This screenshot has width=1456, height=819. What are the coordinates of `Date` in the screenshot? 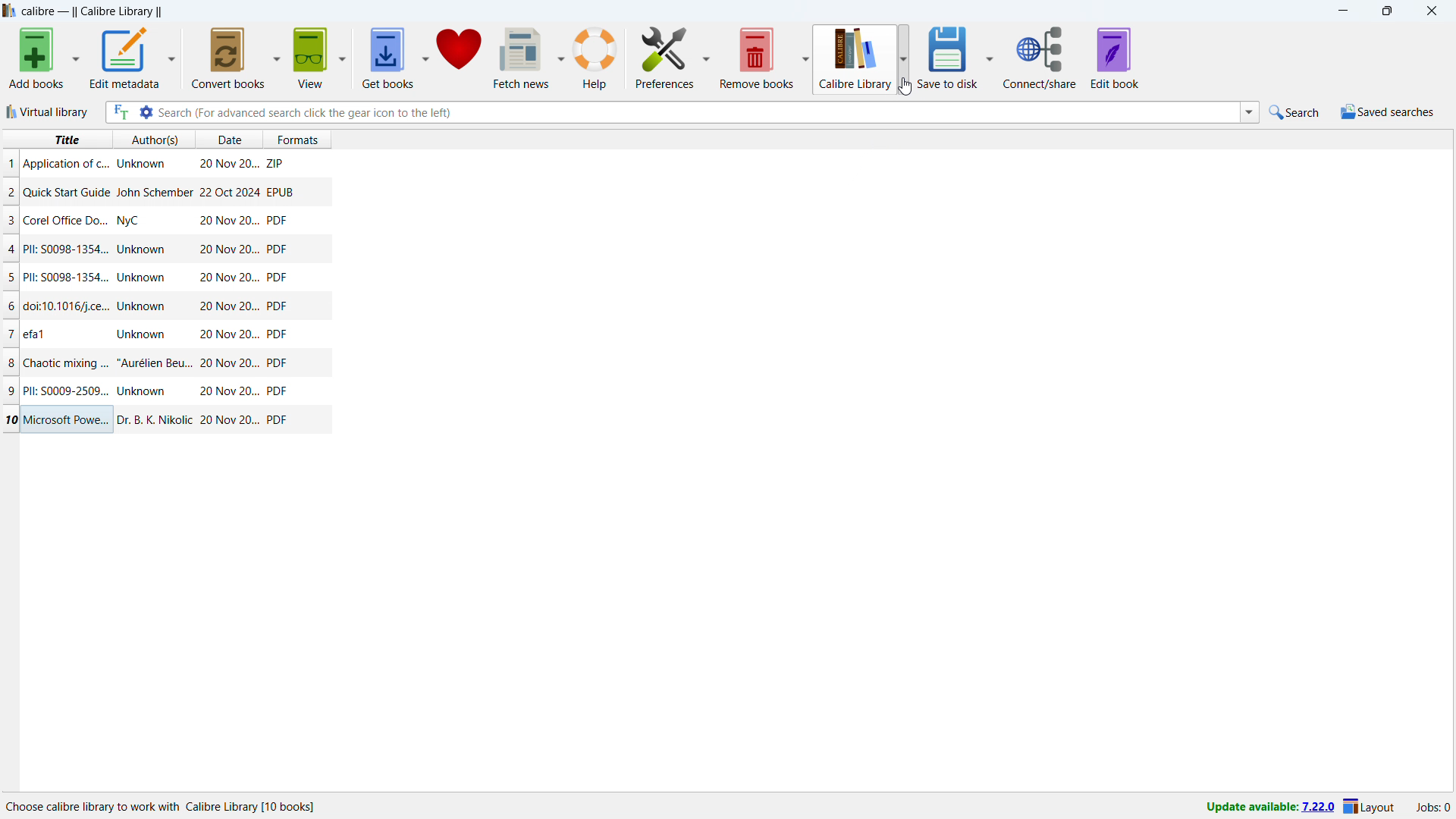 It's located at (229, 278).